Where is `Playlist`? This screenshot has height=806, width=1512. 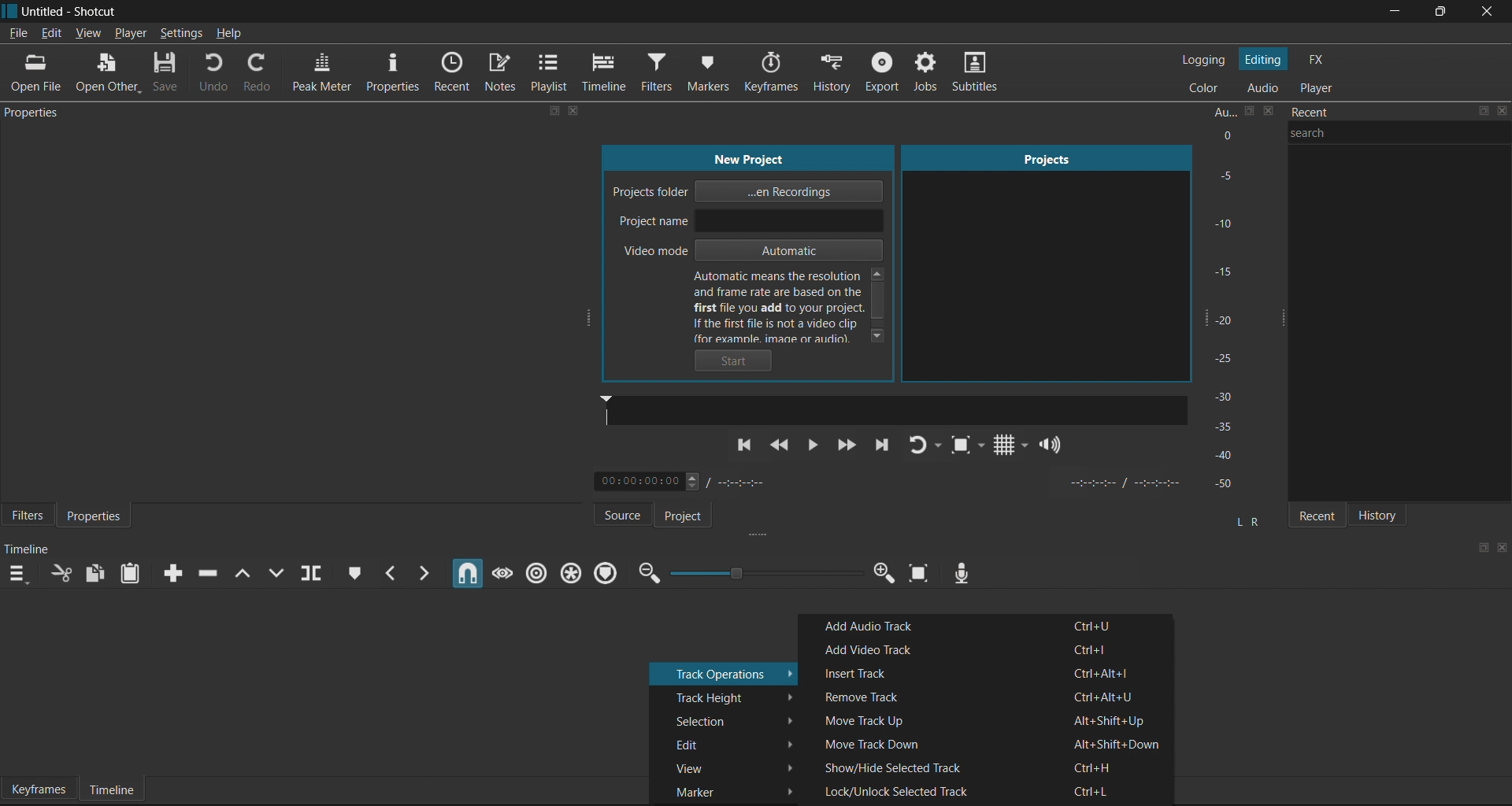
Playlist is located at coordinates (551, 74).